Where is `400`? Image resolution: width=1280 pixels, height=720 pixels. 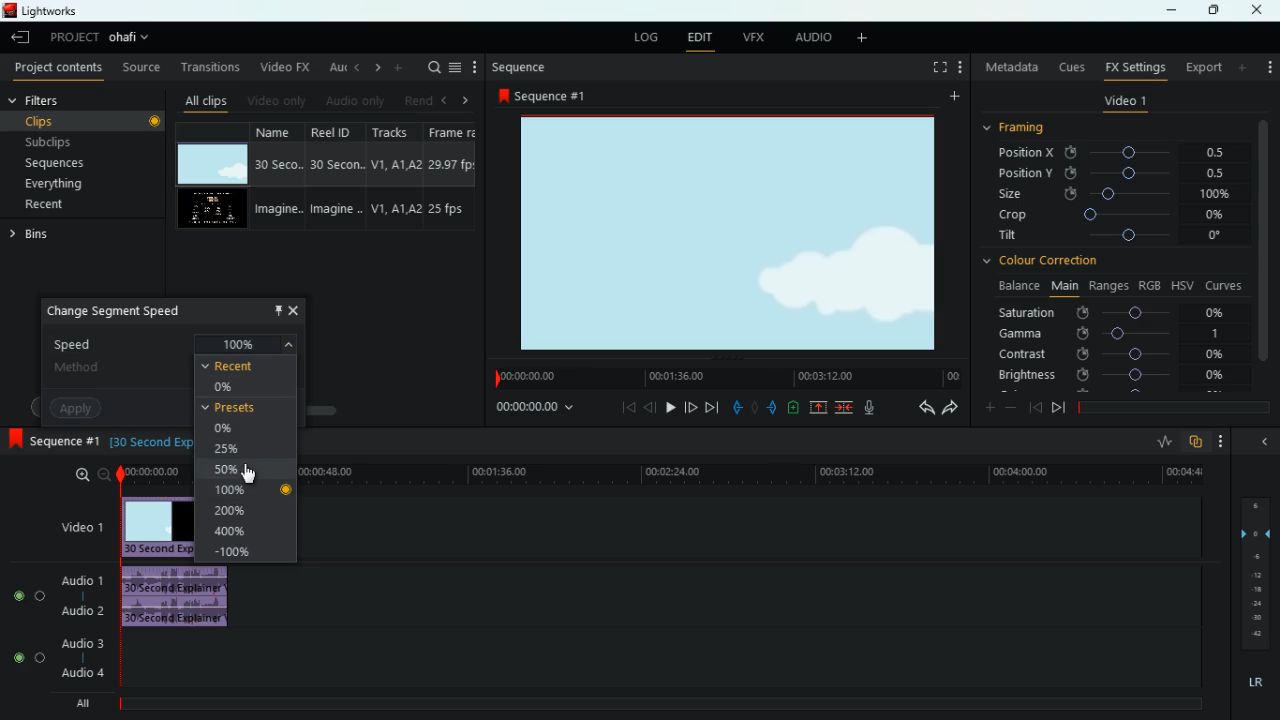 400 is located at coordinates (237, 531).